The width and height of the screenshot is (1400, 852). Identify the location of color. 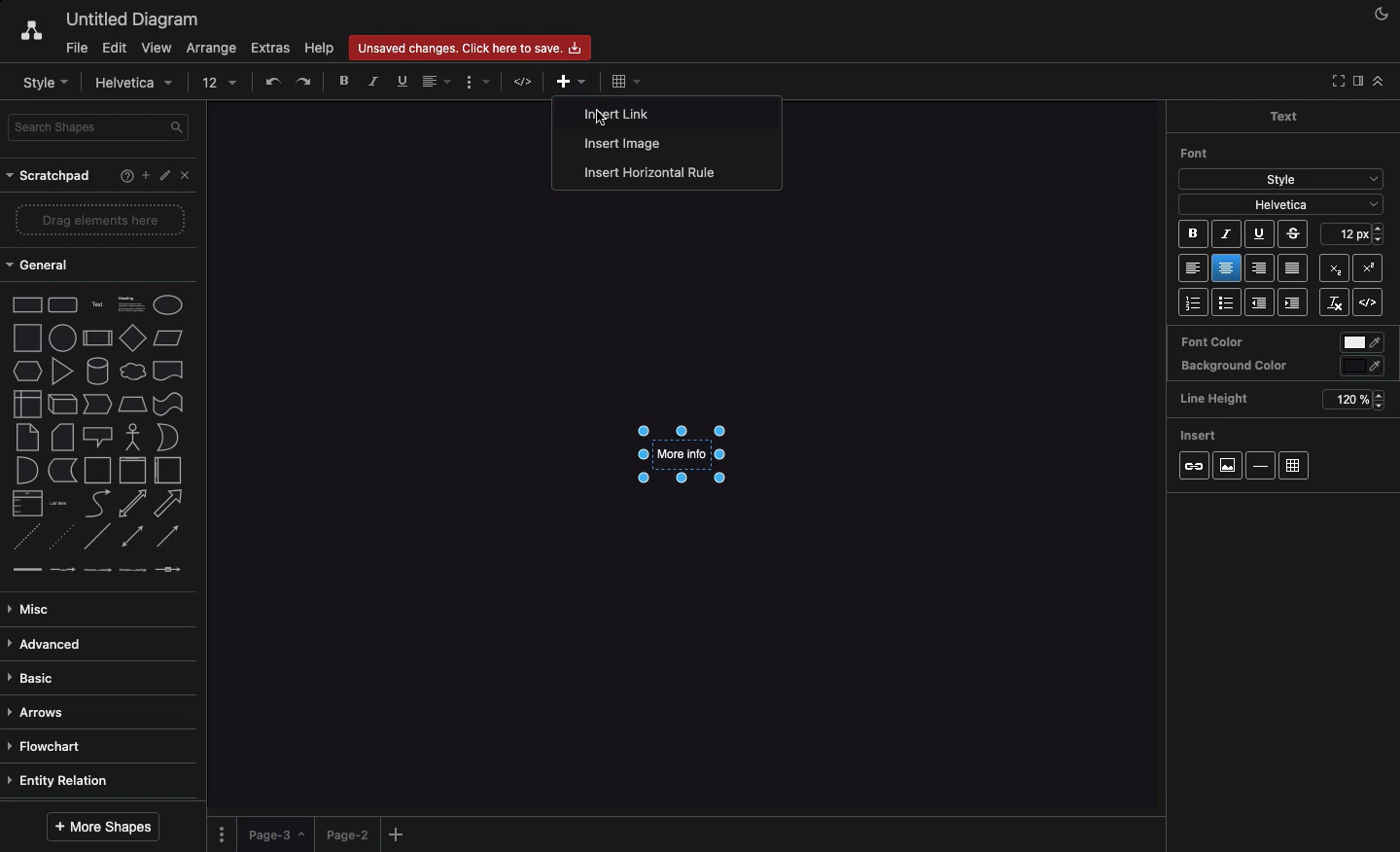
(1363, 343).